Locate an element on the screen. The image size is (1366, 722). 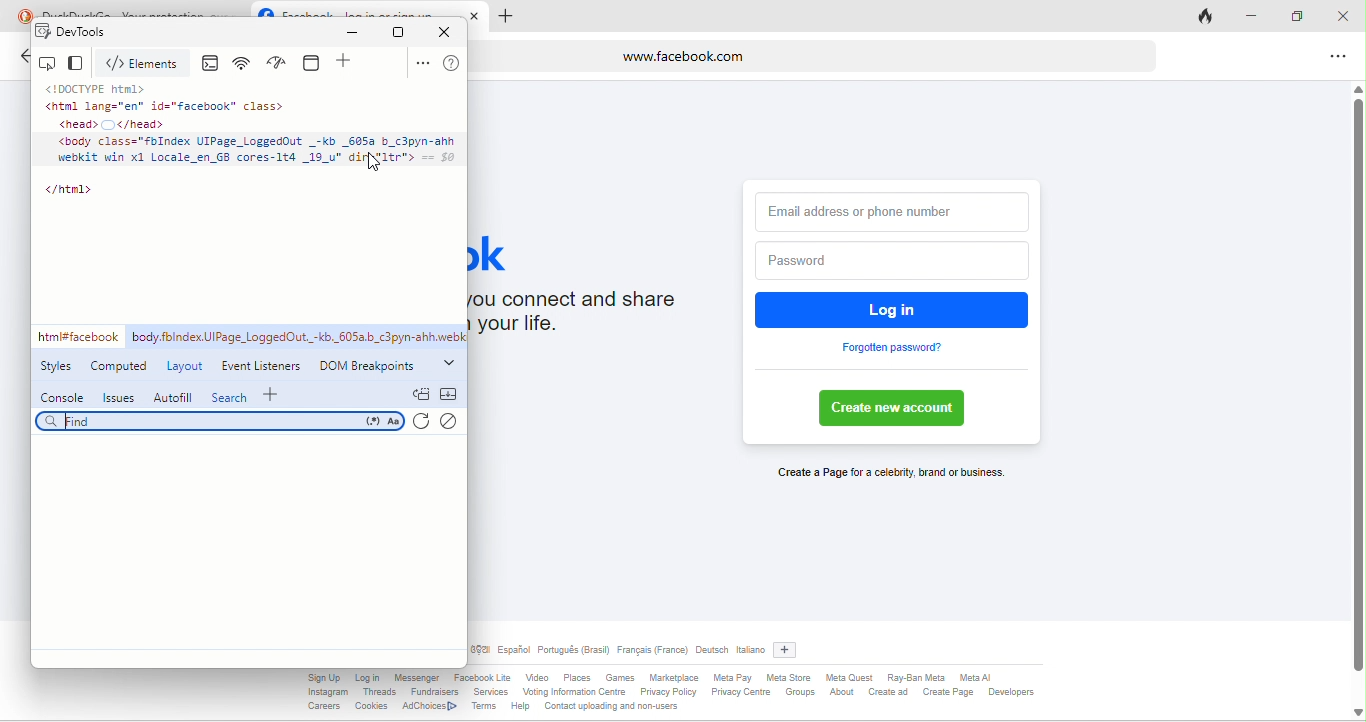
password is located at coordinates (888, 261).